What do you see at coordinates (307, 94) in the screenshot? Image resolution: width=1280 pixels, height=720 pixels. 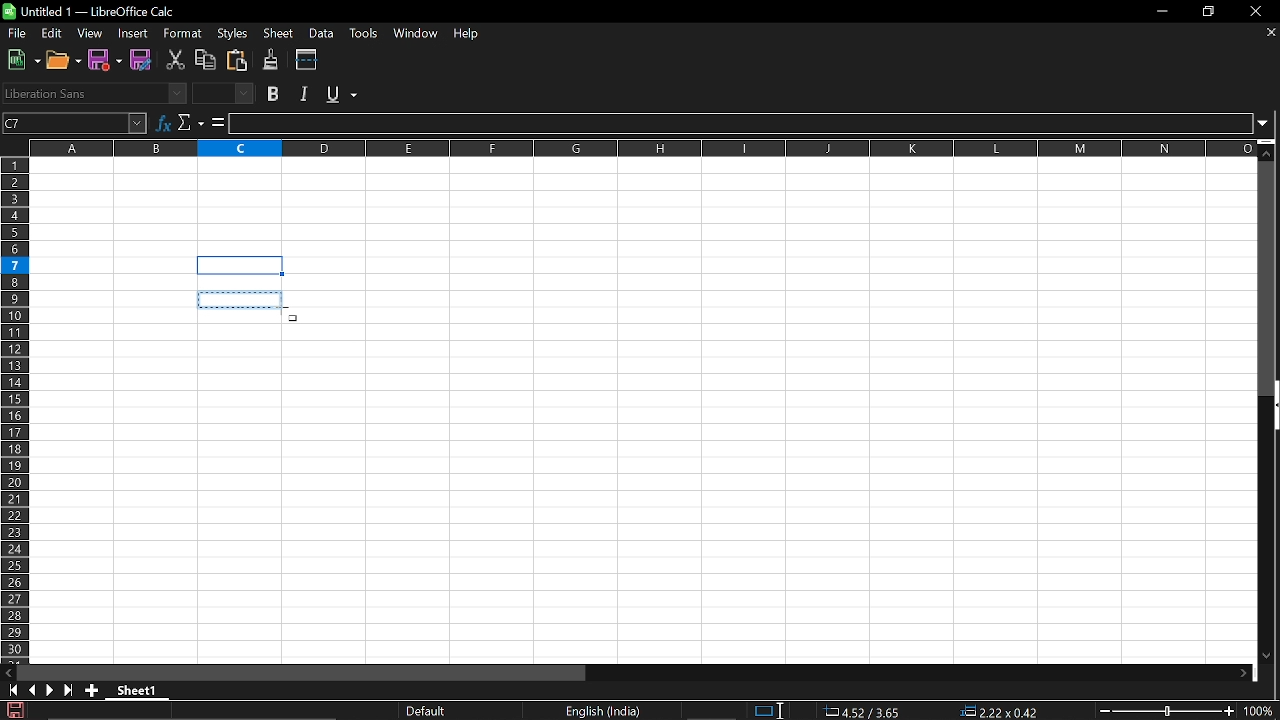 I see `Italic` at bounding box center [307, 94].